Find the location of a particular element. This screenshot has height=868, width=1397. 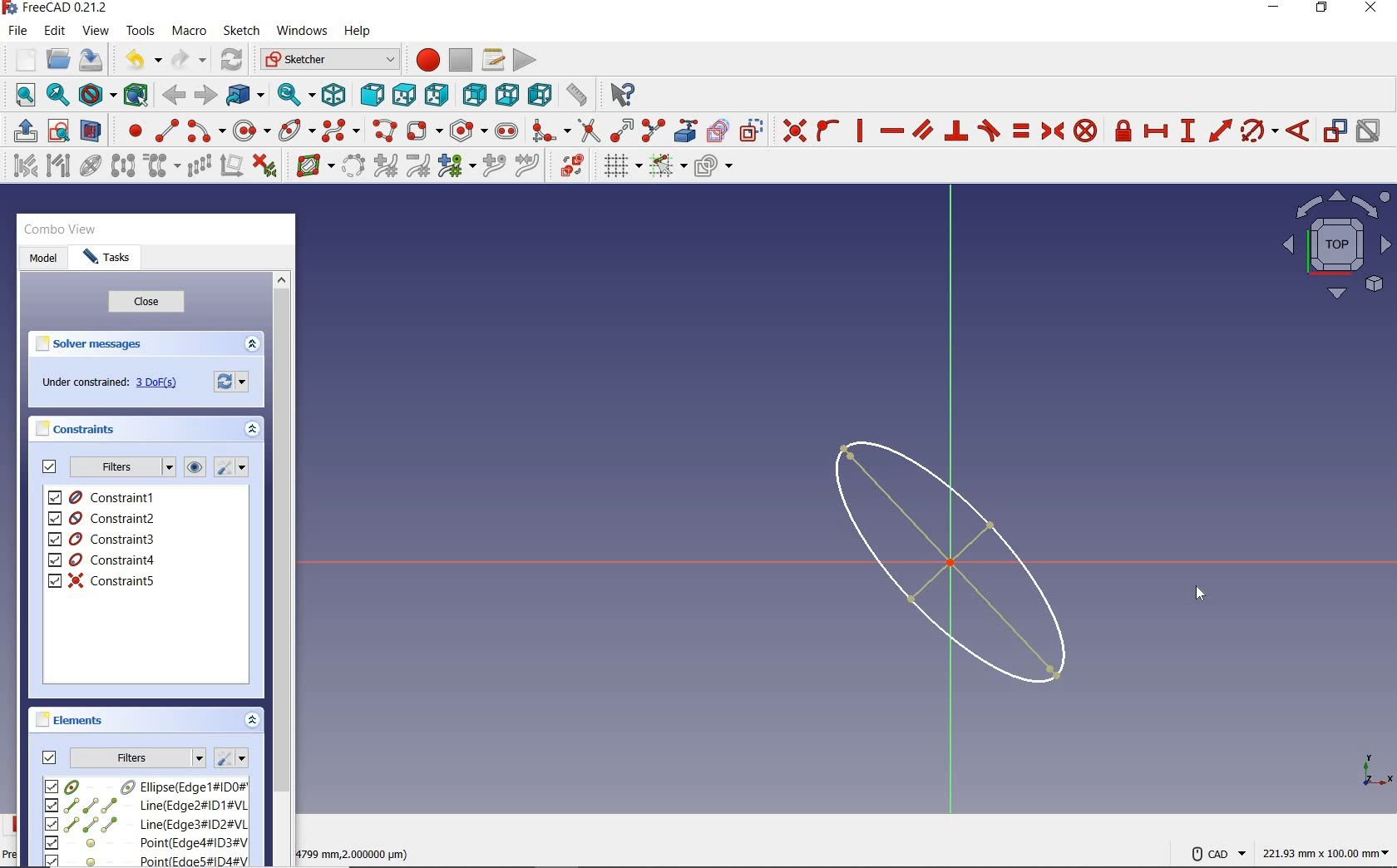

sketch view is located at coordinates (1334, 244).